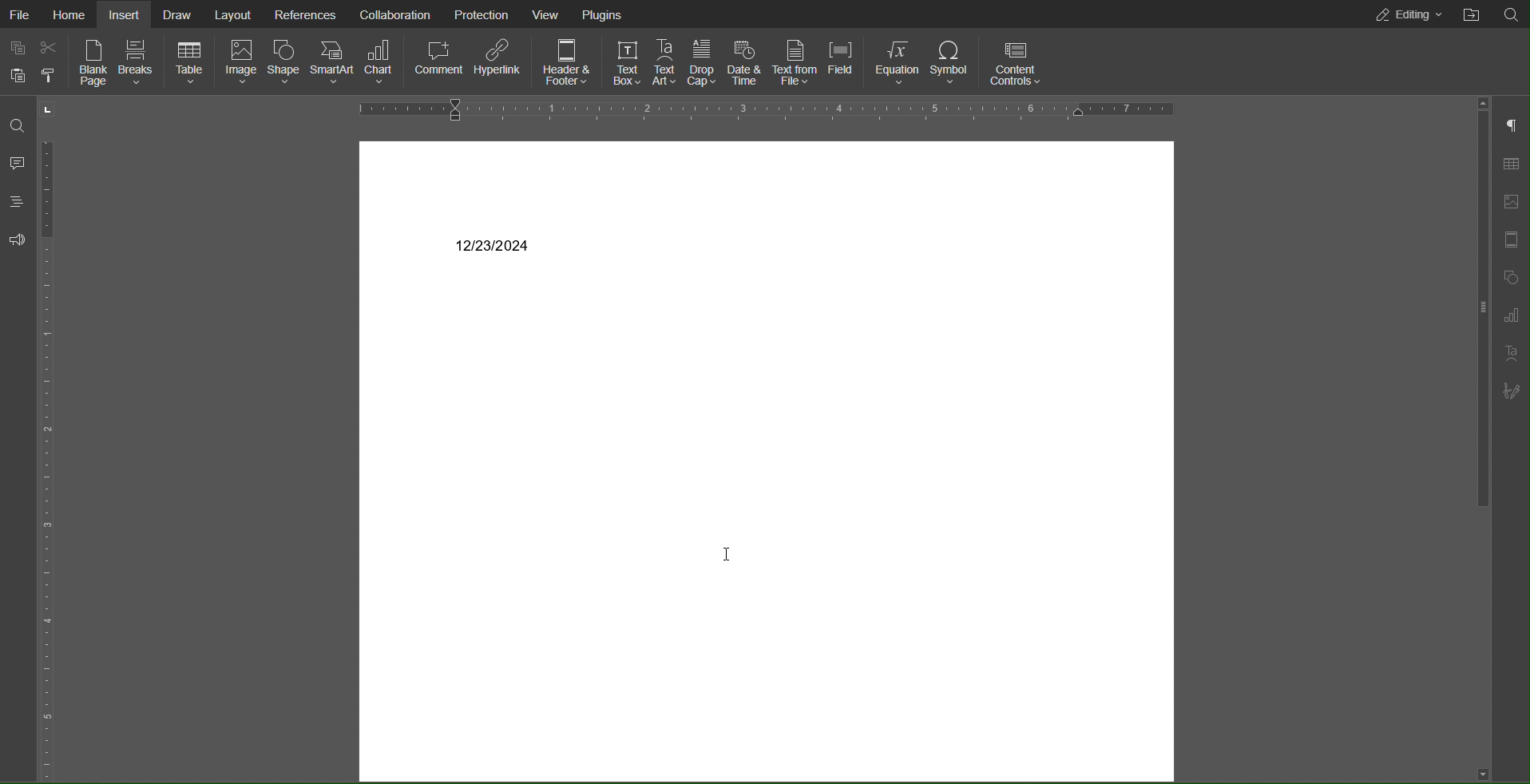 The height and width of the screenshot is (784, 1530). What do you see at coordinates (241, 65) in the screenshot?
I see `Image` at bounding box center [241, 65].